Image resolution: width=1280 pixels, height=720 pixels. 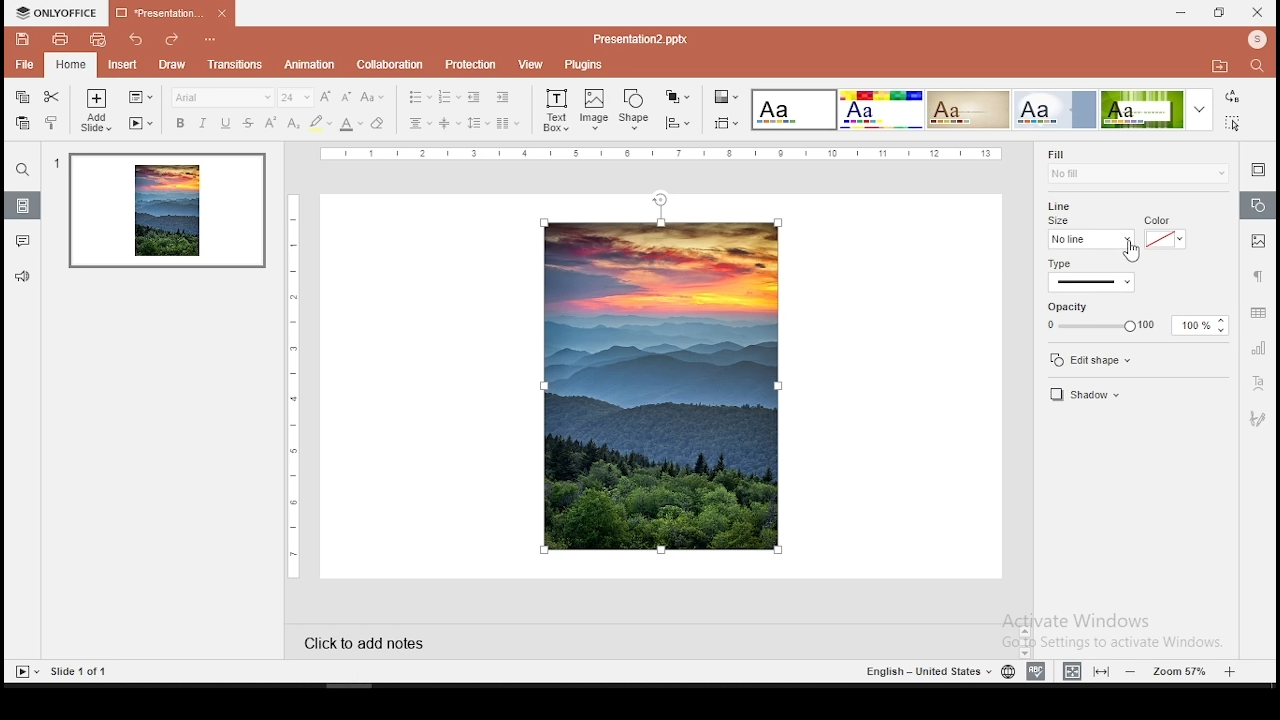 I want to click on spell check, so click(x=1036, y=671).